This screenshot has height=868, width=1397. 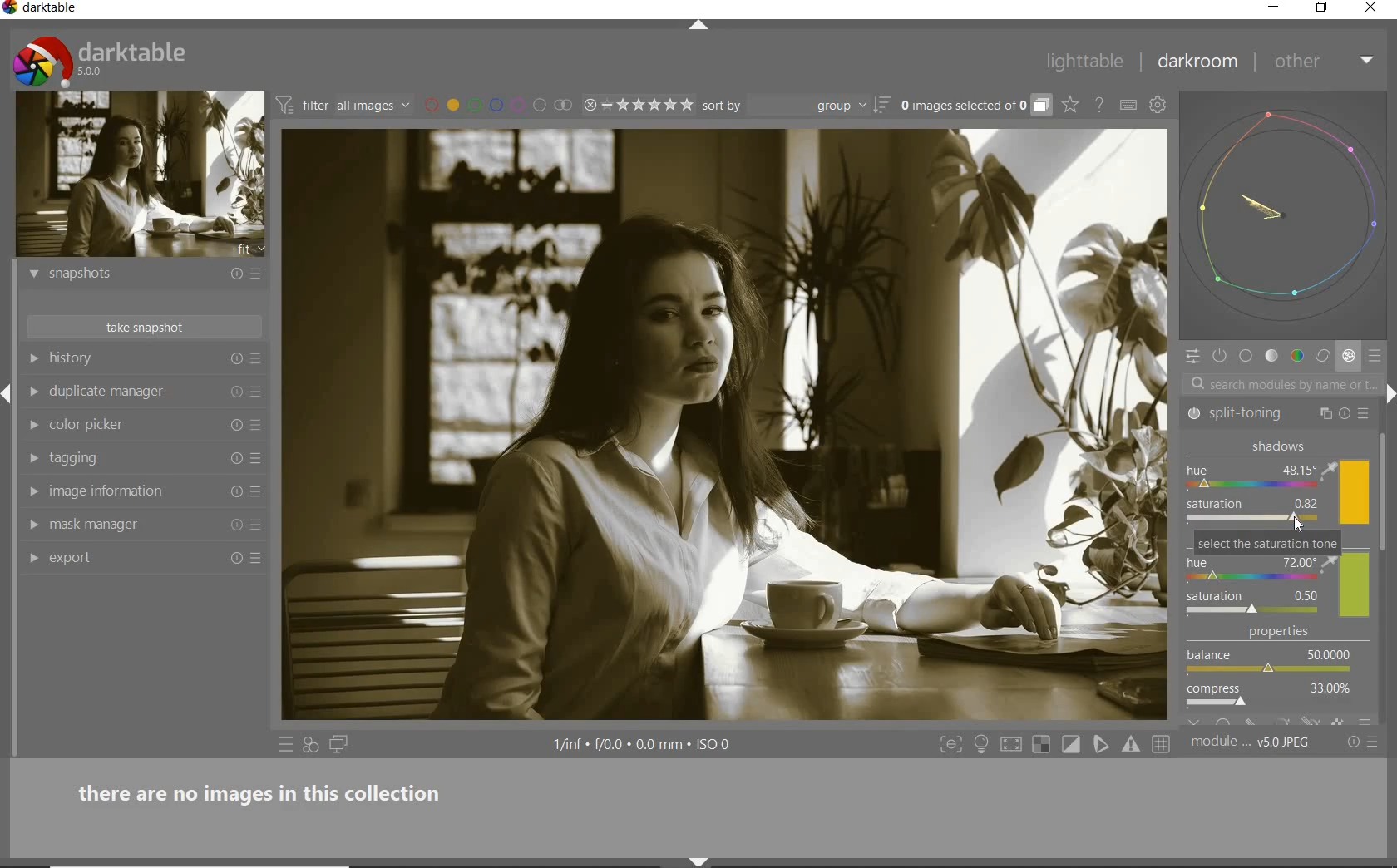 What do you see at coordinates (312, 746) in the screenshot?
I see `quick access for applying any of your styles` at bounding box center [312, 746].